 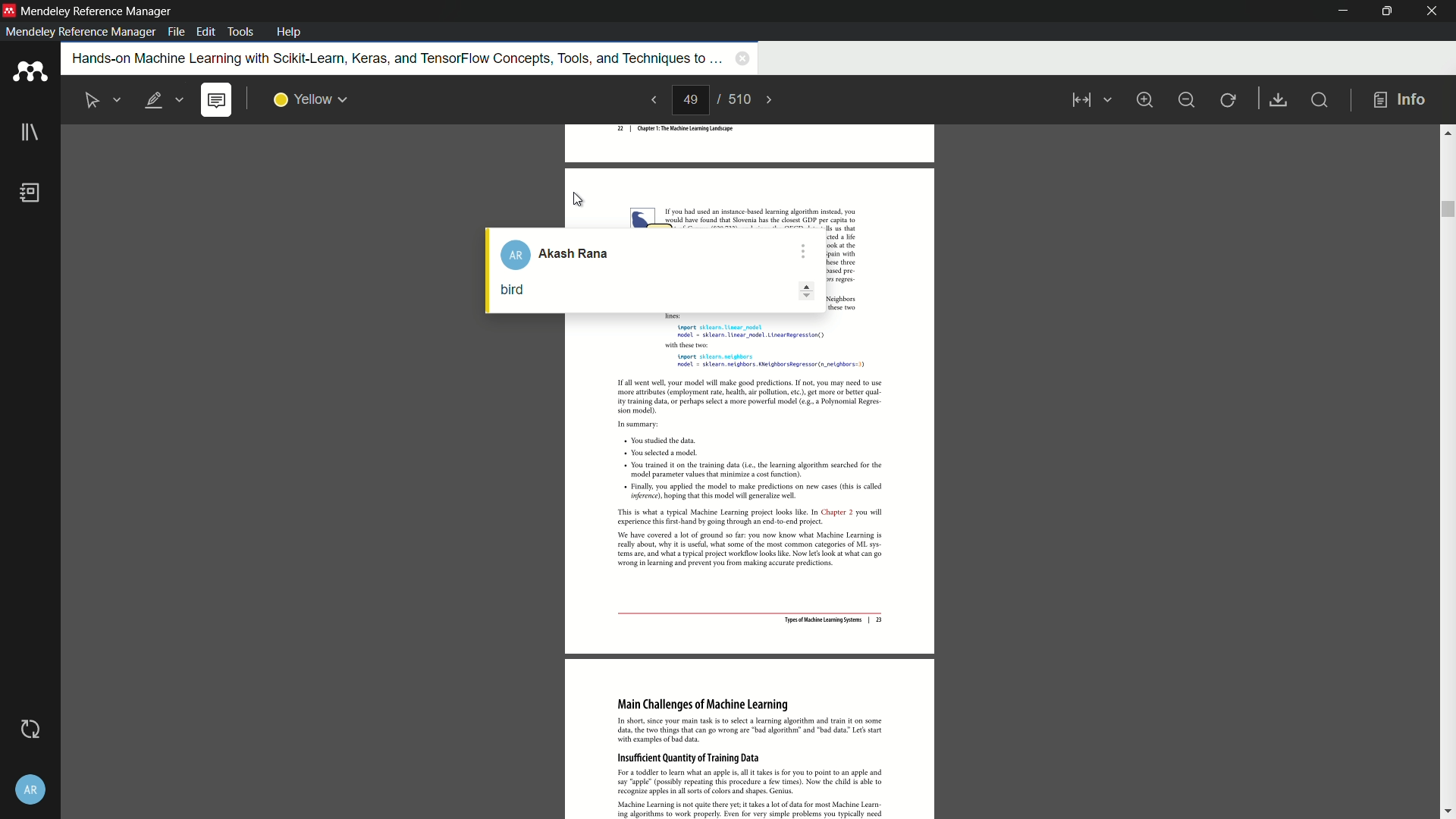 What do you see at coordinates (9, 11) in the screenshot?
I see `app icon` at bounding box center [9, 11].